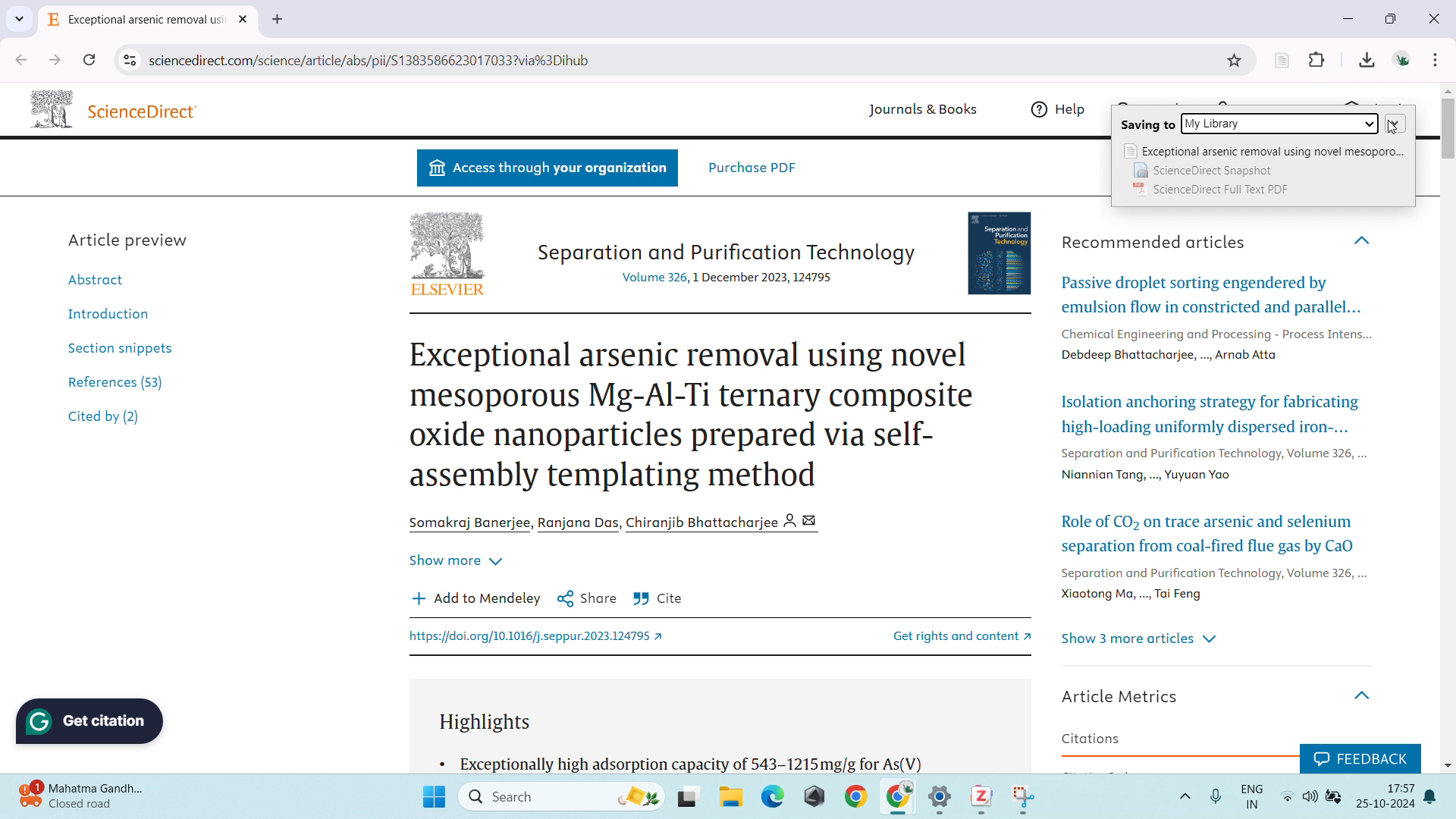 The height and width of the screenshot is (819, 1456). I want to click on Citations, so click(1091, 739).